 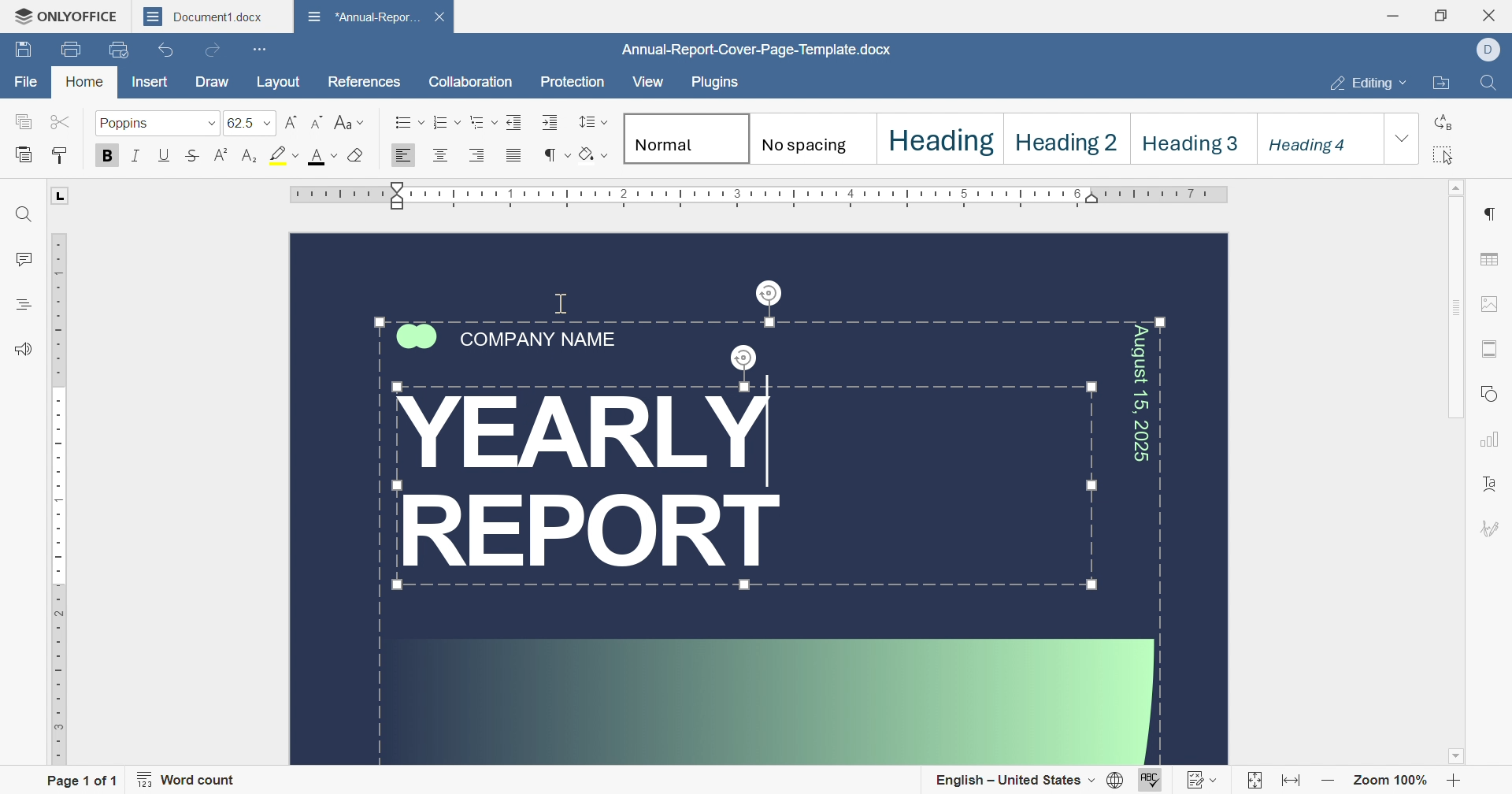 I want to click on ONLYOFFICE, so click(x=63, y=18).